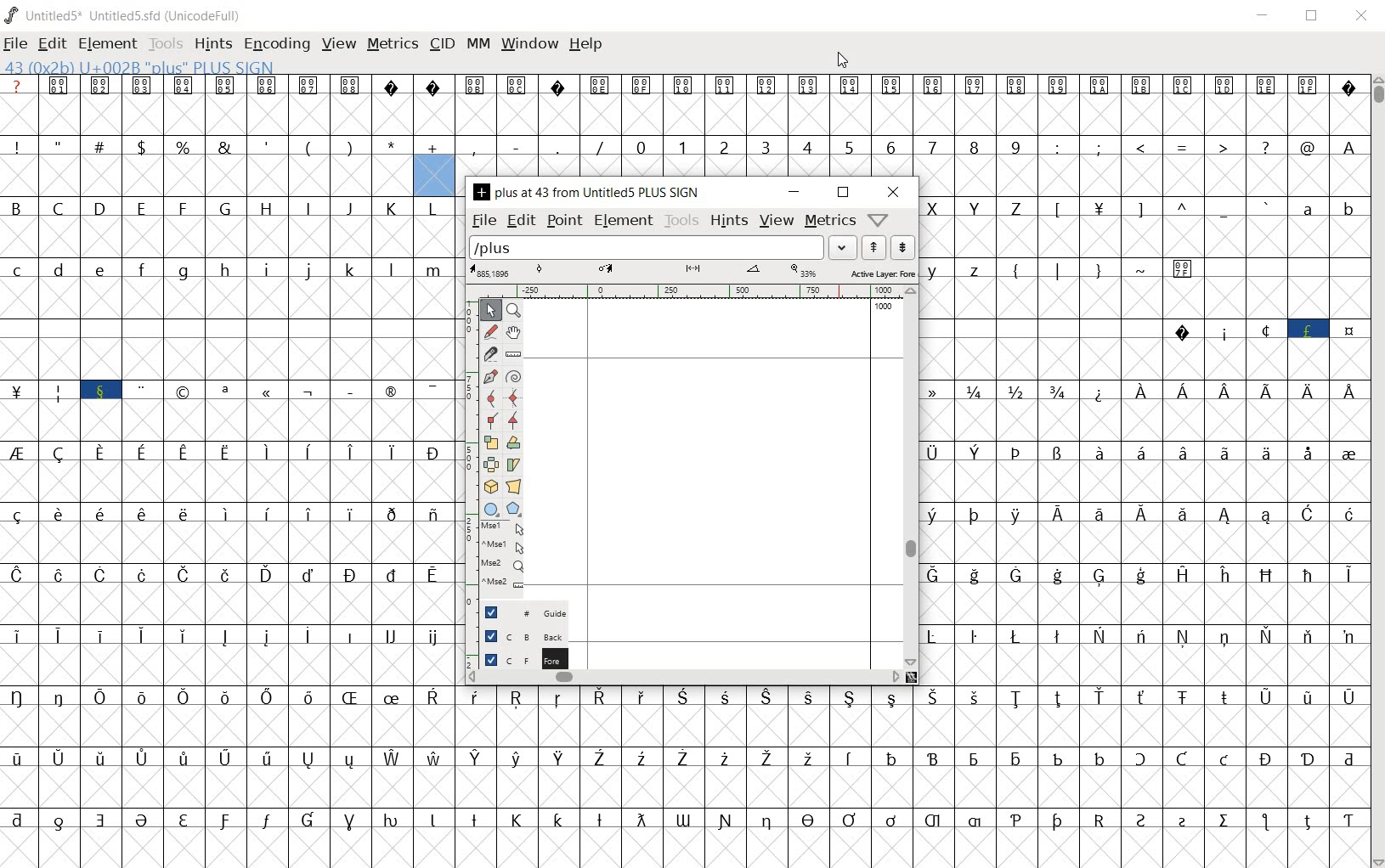 Image resolution: width=1385 pixels, height=868 pixels. What do you see at coordinates (1201, 166) in the screenshot?
I see `ado de Lo LL 3 Lf LB LA` at bounding box center [1201, 166].